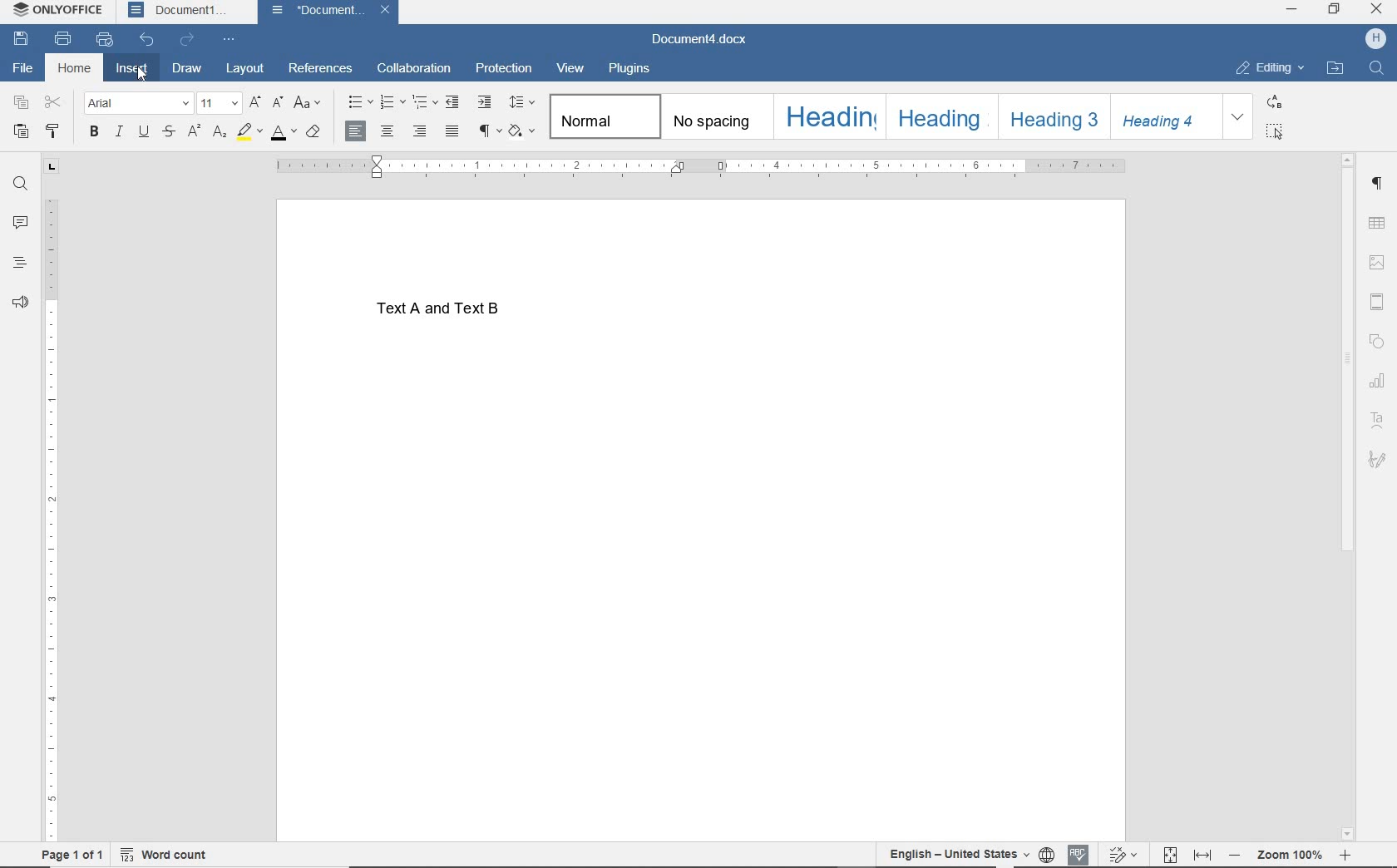 This screenshot has width=1397, height=868. Describe the element at coordinates (1275, 131) in the screenshot. I see `SELECT ALL` at that location.